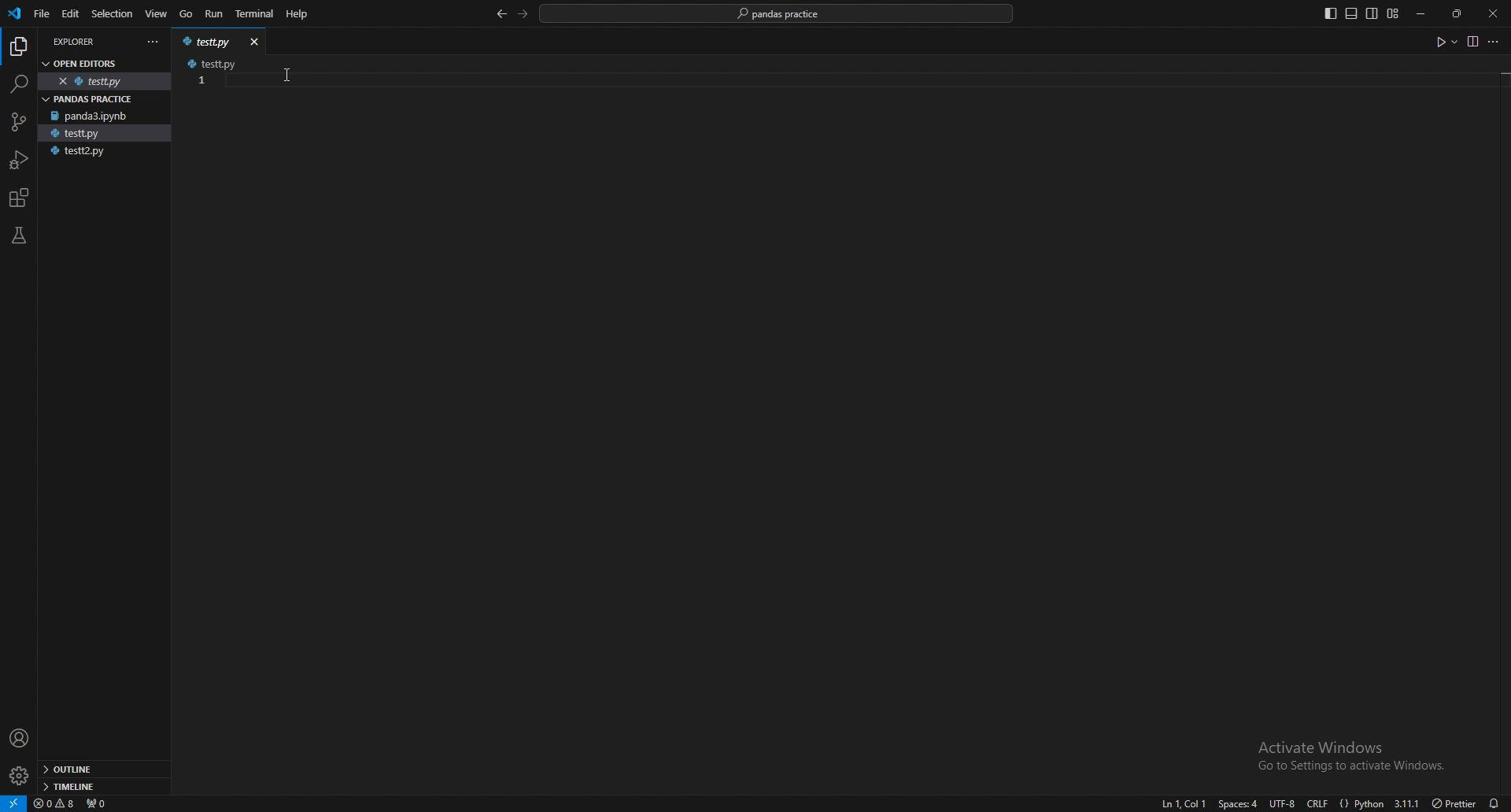 The image size is (1511, 812). Describe the element at coordinates (1319, 803) in the screenshot. I see `crlf` at that location.